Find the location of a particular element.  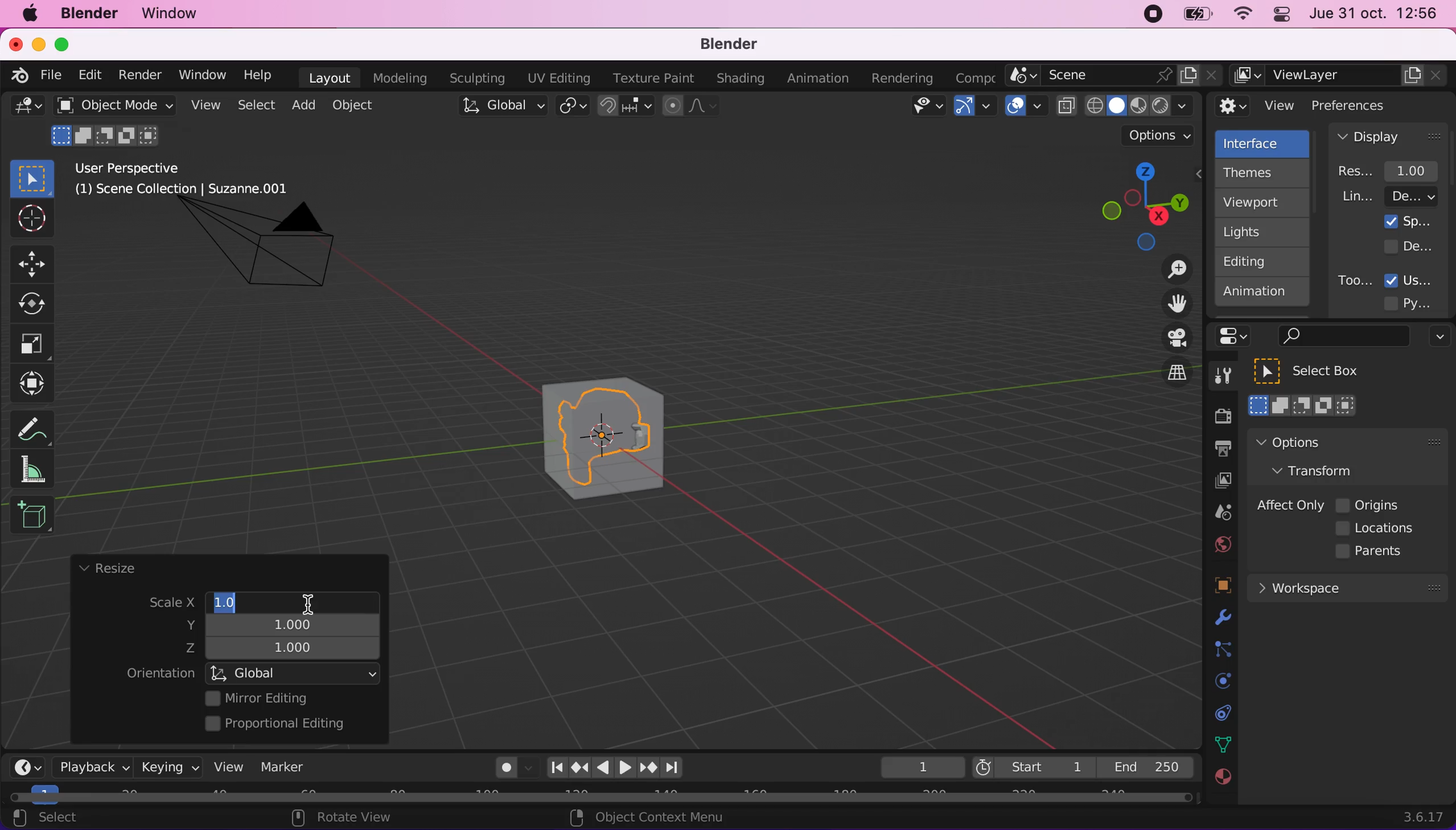

collection is located at coordinates (1220, 713).